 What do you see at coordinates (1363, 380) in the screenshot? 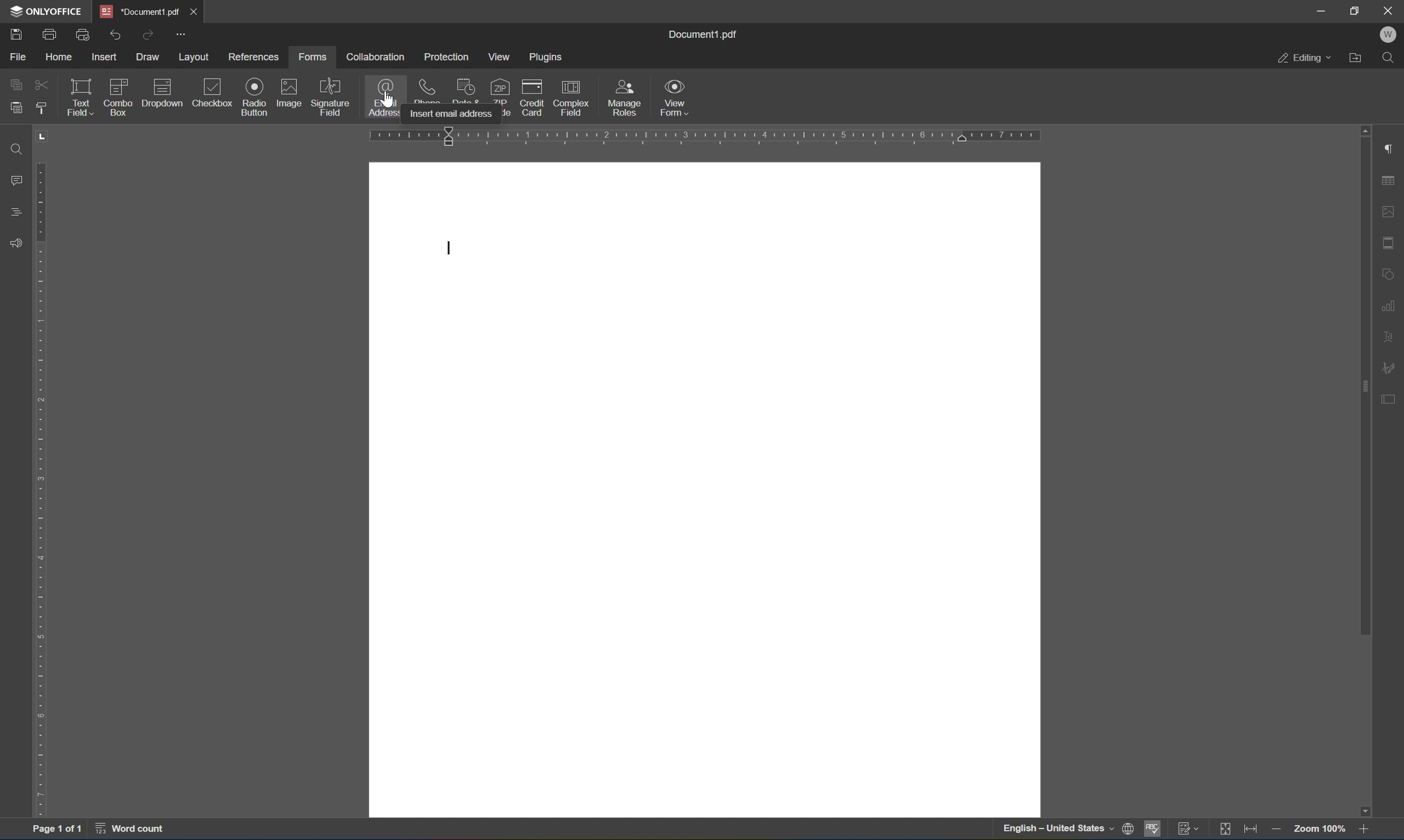
I see `scroll bar` at bounding box center [1363, 380].